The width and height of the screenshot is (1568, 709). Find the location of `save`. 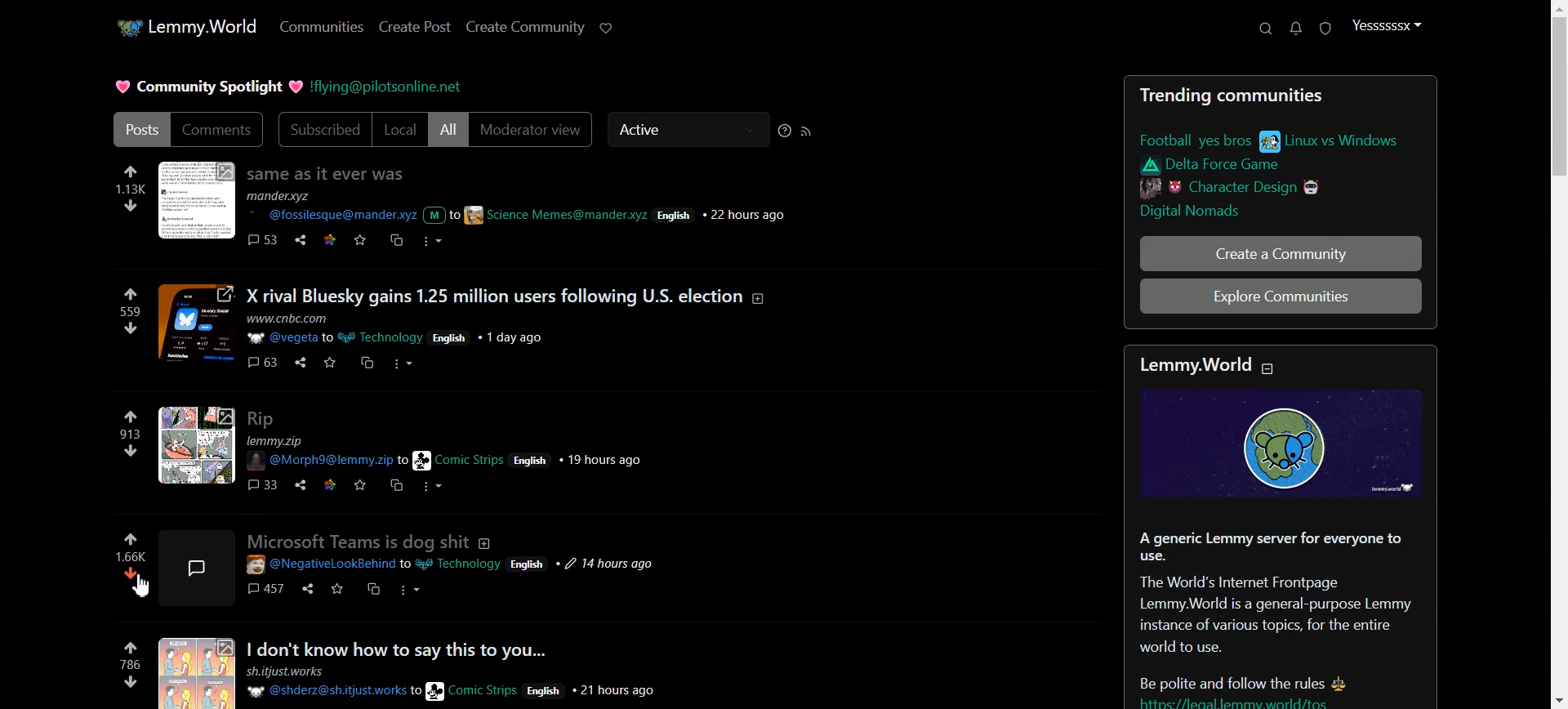

save is located at coordinates (332, 364).